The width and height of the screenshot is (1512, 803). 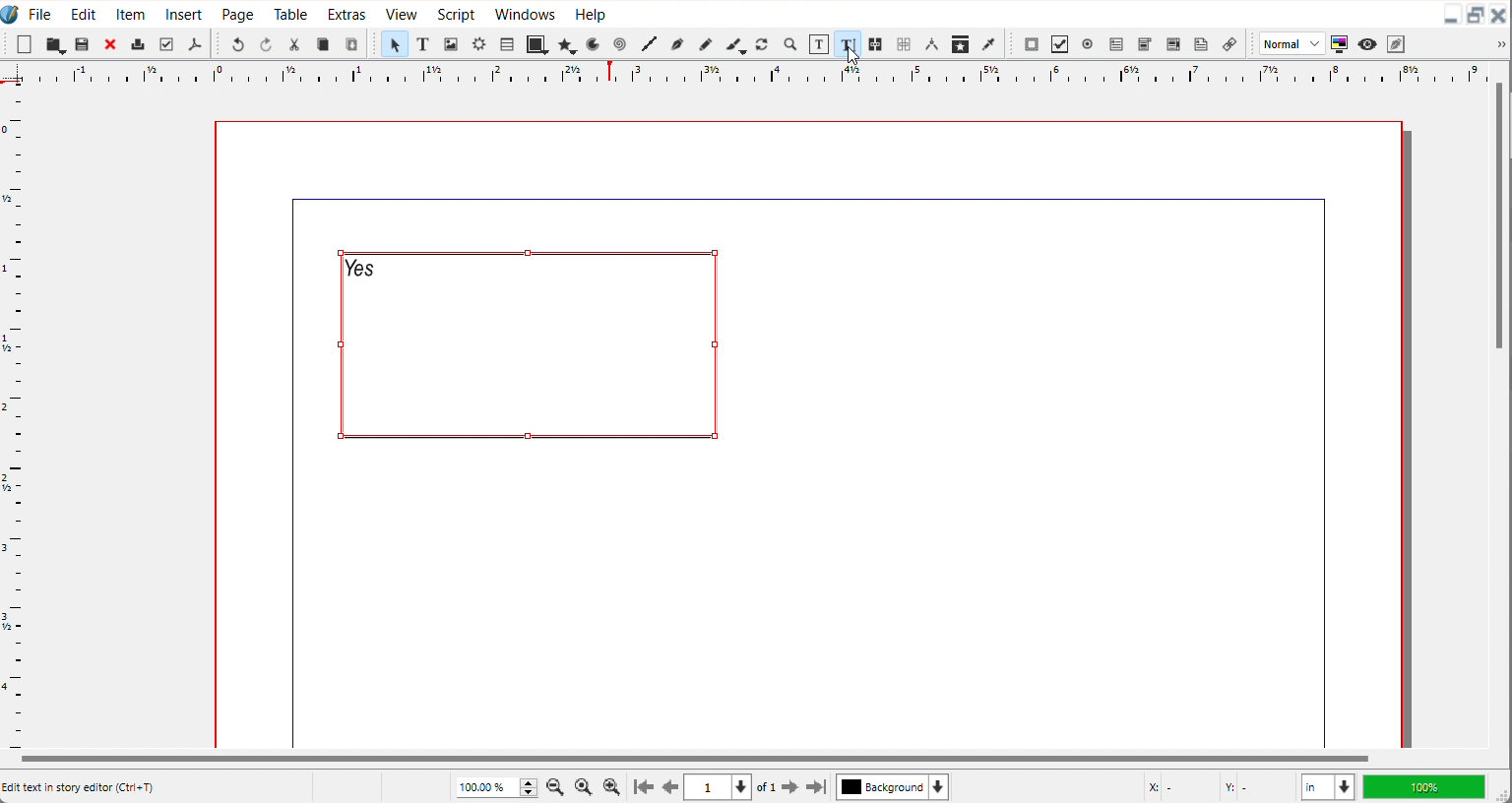 What do you see at coordinates (816, 787) in the screenshot?
I see `Go to the last page` at bounding box center [816, 787].